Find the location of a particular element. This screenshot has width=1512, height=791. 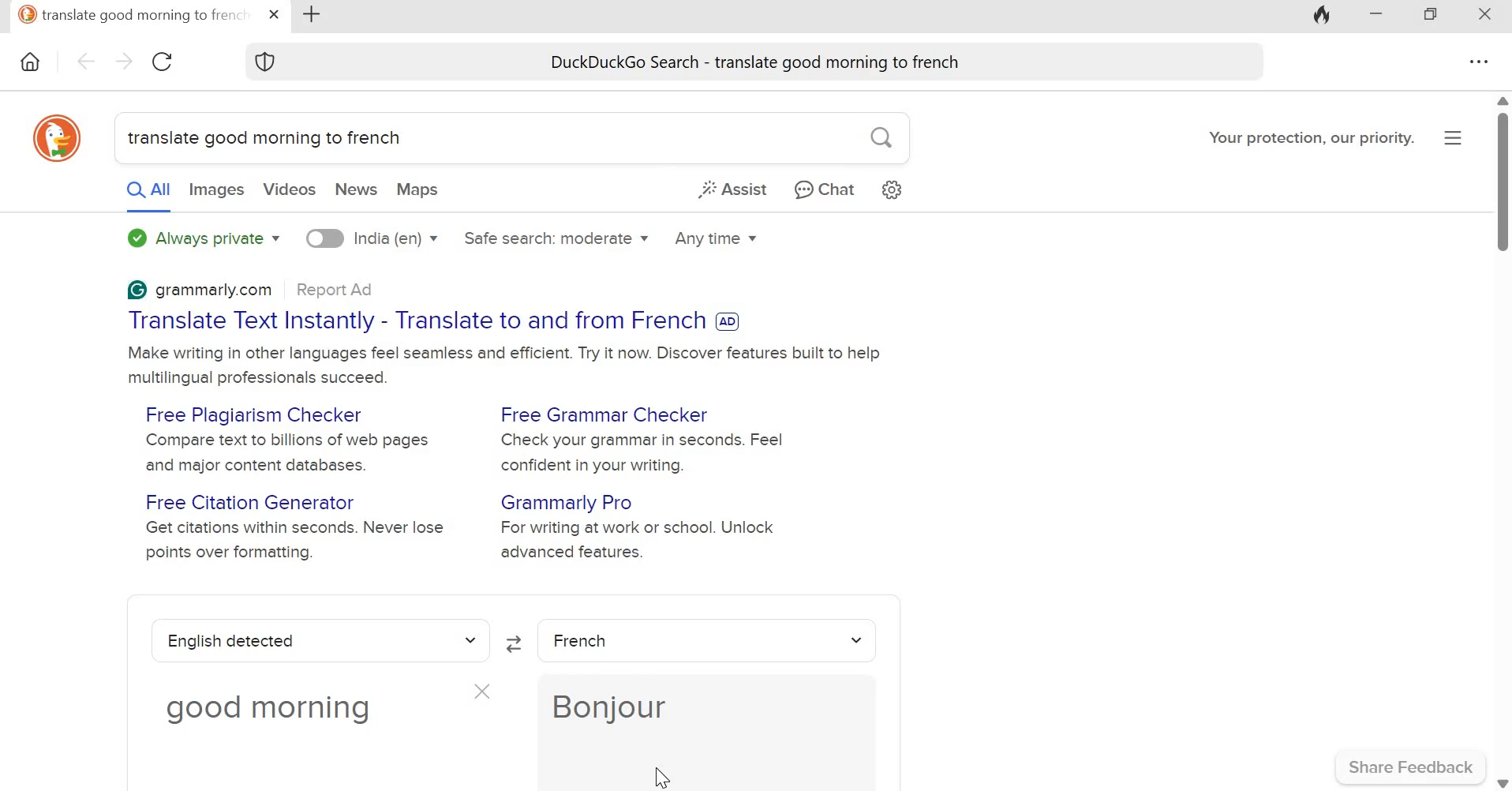

Overflow menu is located at coordinates (1453, 137).